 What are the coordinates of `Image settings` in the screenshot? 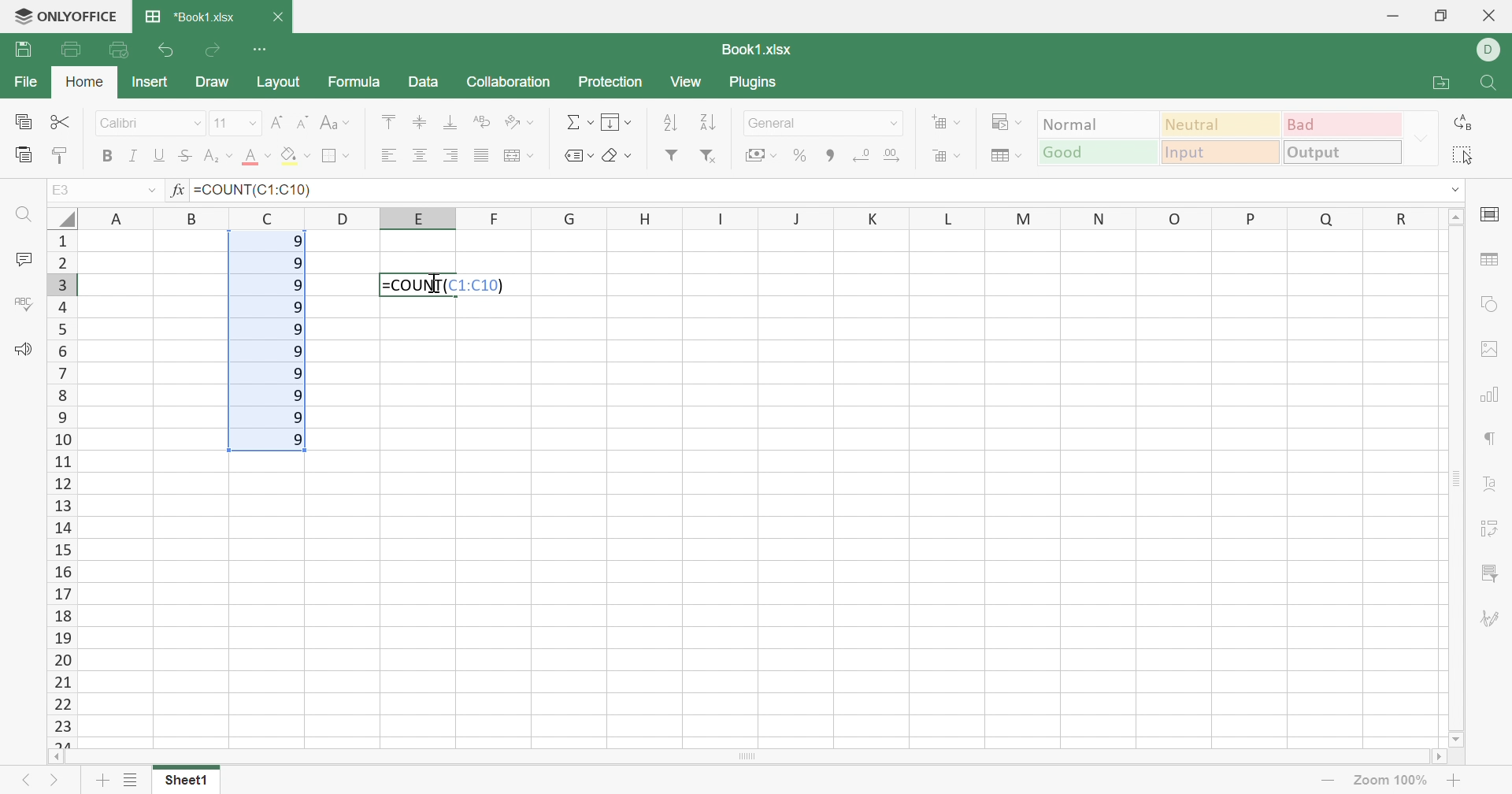 It's located at (1489, 350).